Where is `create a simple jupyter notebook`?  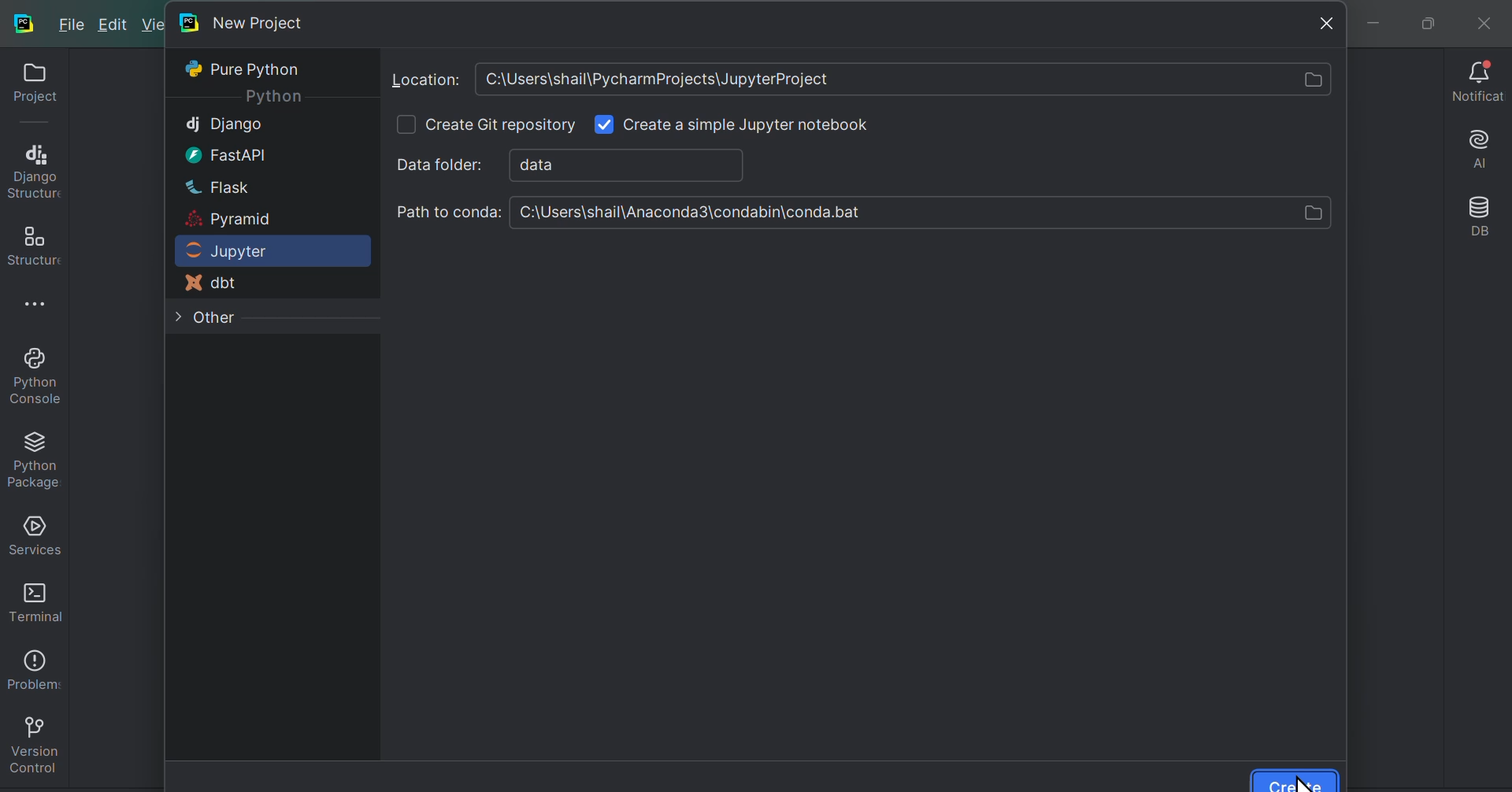 create a simple jupyter notebook is located at coordinates (749, 126).